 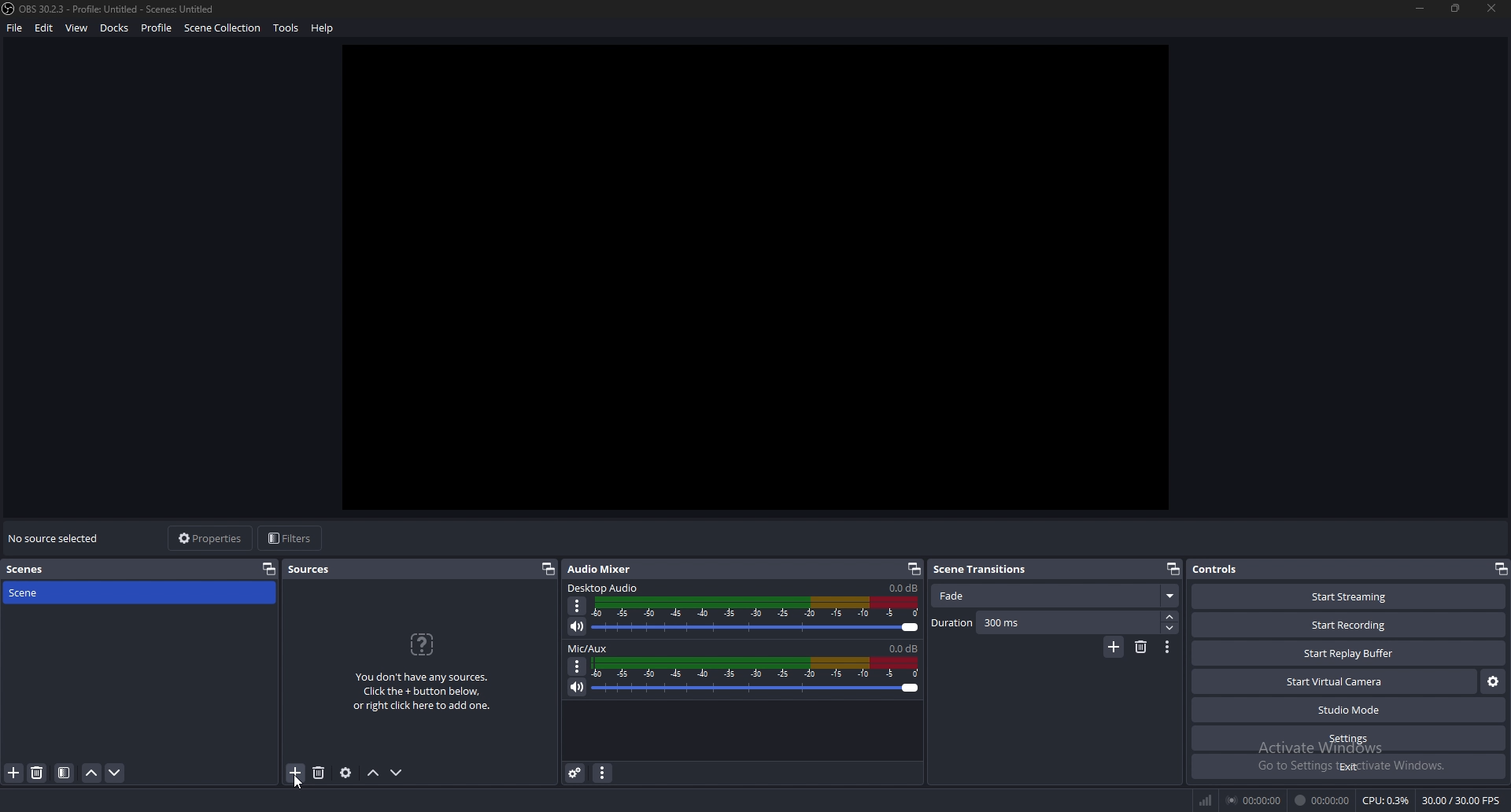 I want to click on add scene, so click(x=15, y=773).